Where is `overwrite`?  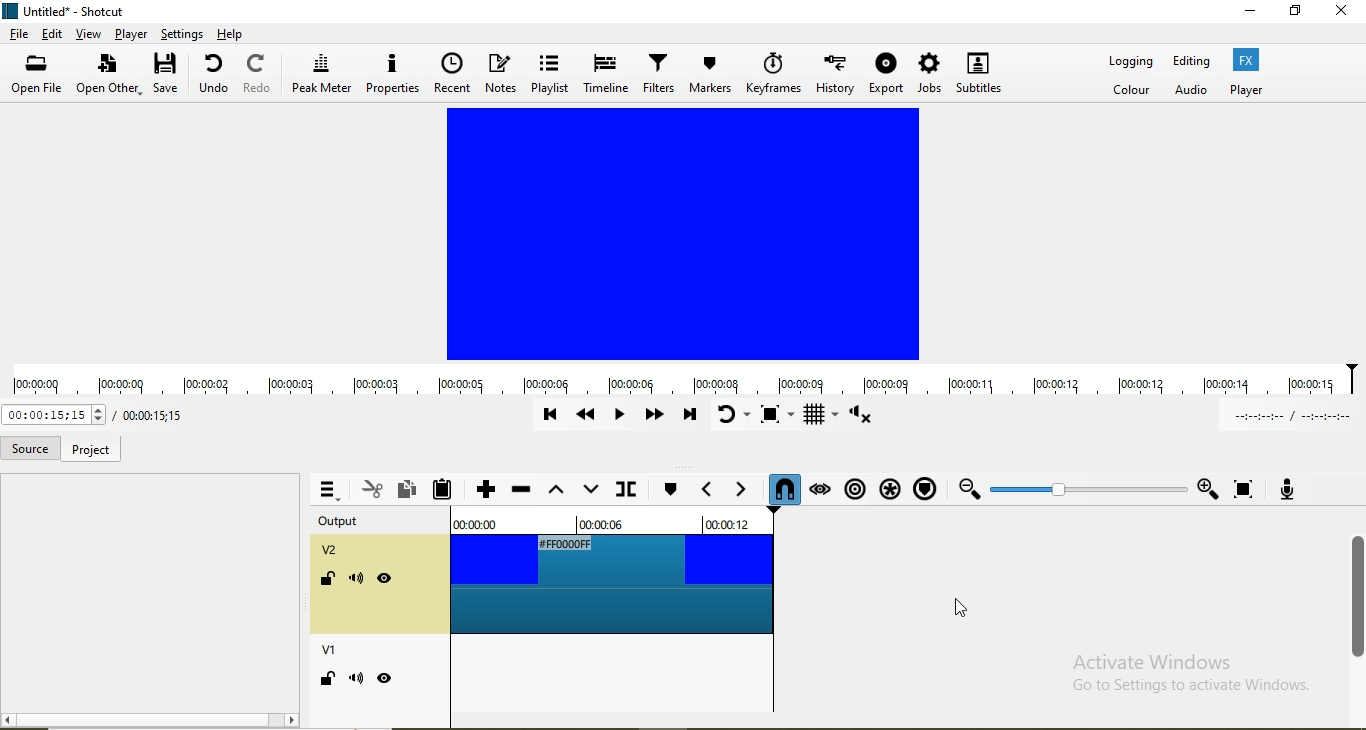
overwrite is located at coordinates (588, 491).